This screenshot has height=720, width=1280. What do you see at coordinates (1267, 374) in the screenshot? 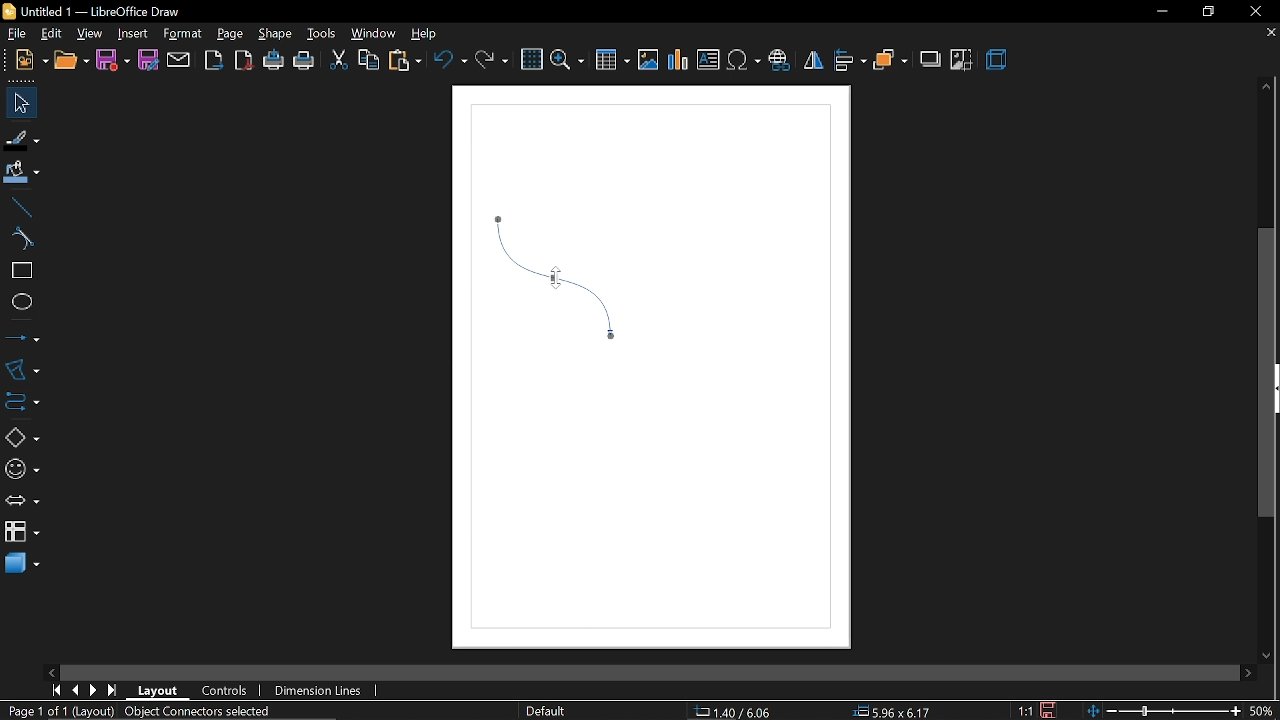
I see `Vertical scrollbar` at bounding box center [1267, 374].